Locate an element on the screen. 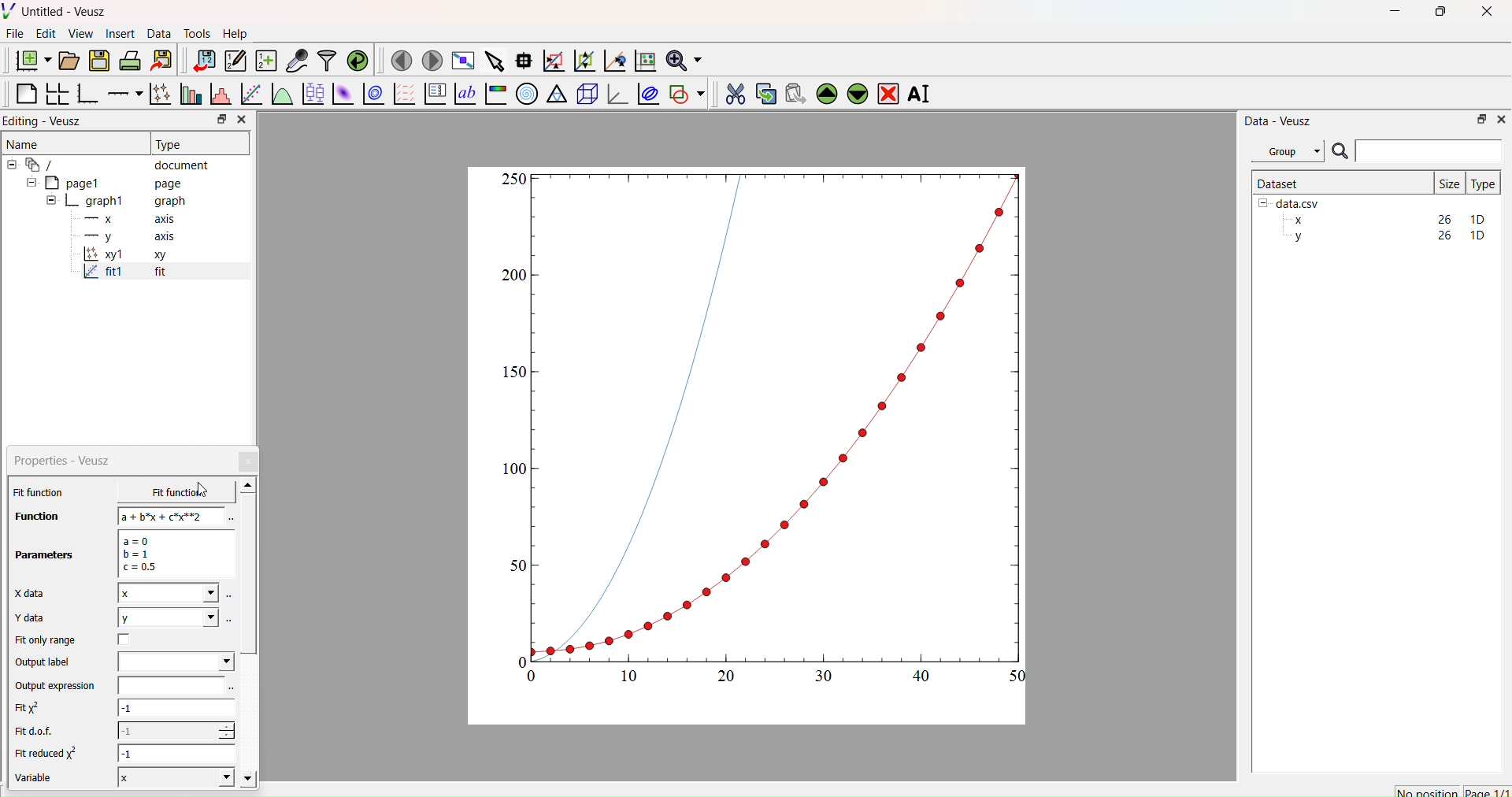 The height and width of the screenshot is (797, 1512). Blank Page is located at coordinates (26, 94).